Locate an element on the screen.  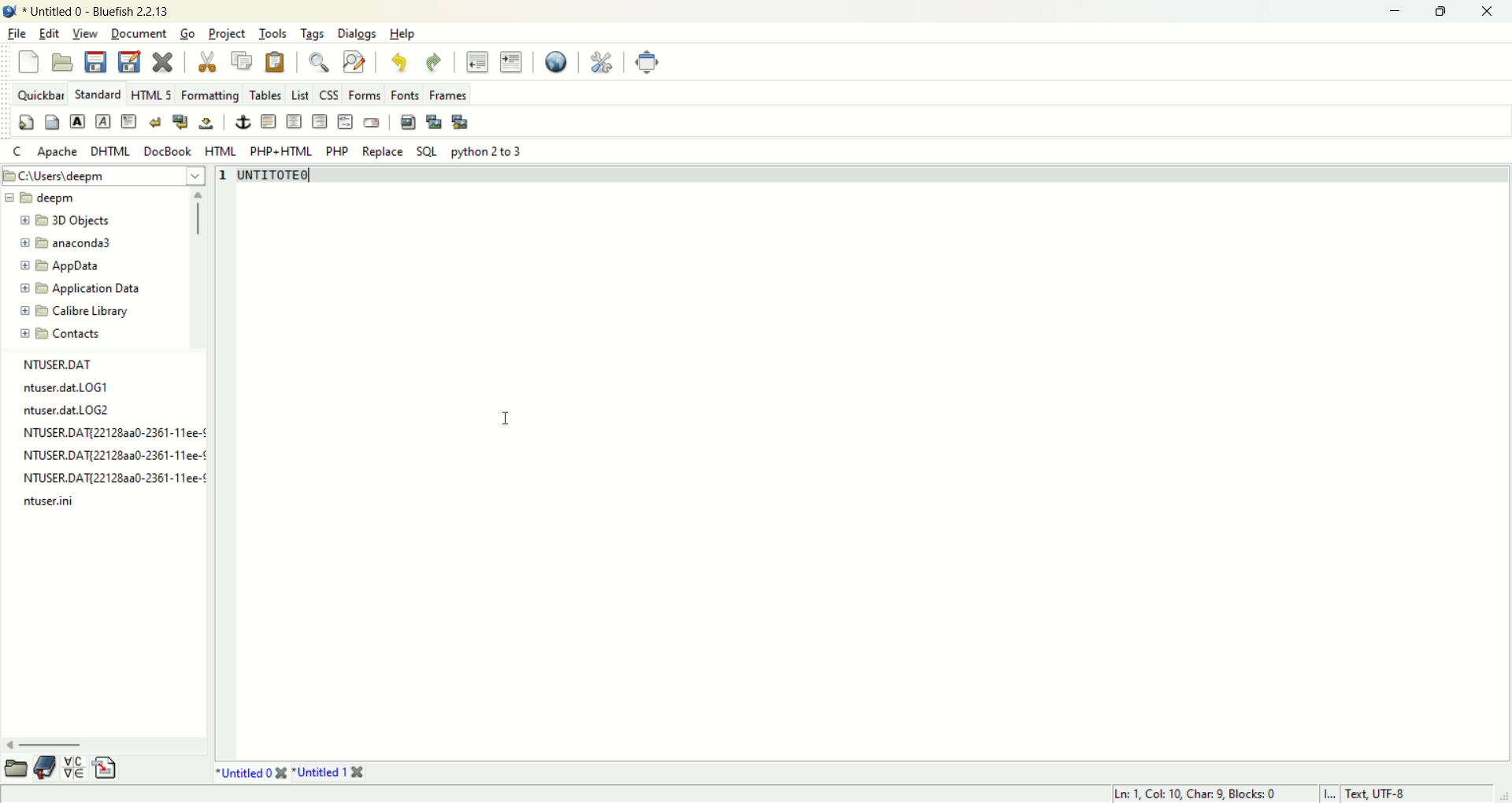
open is located at coordinates (14, 769).